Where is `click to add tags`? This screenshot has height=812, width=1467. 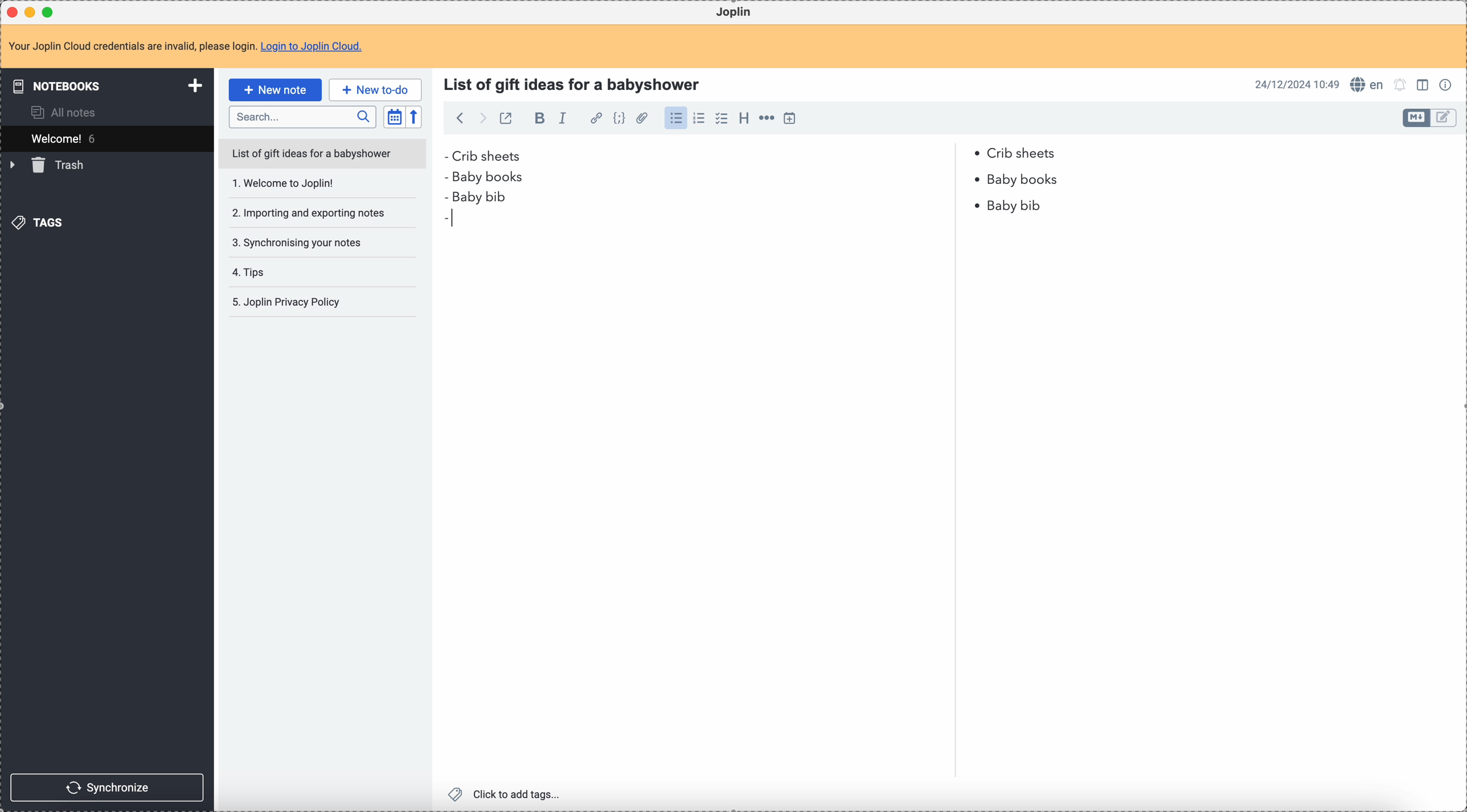
click to add tags is located at coordinates (505, 794).